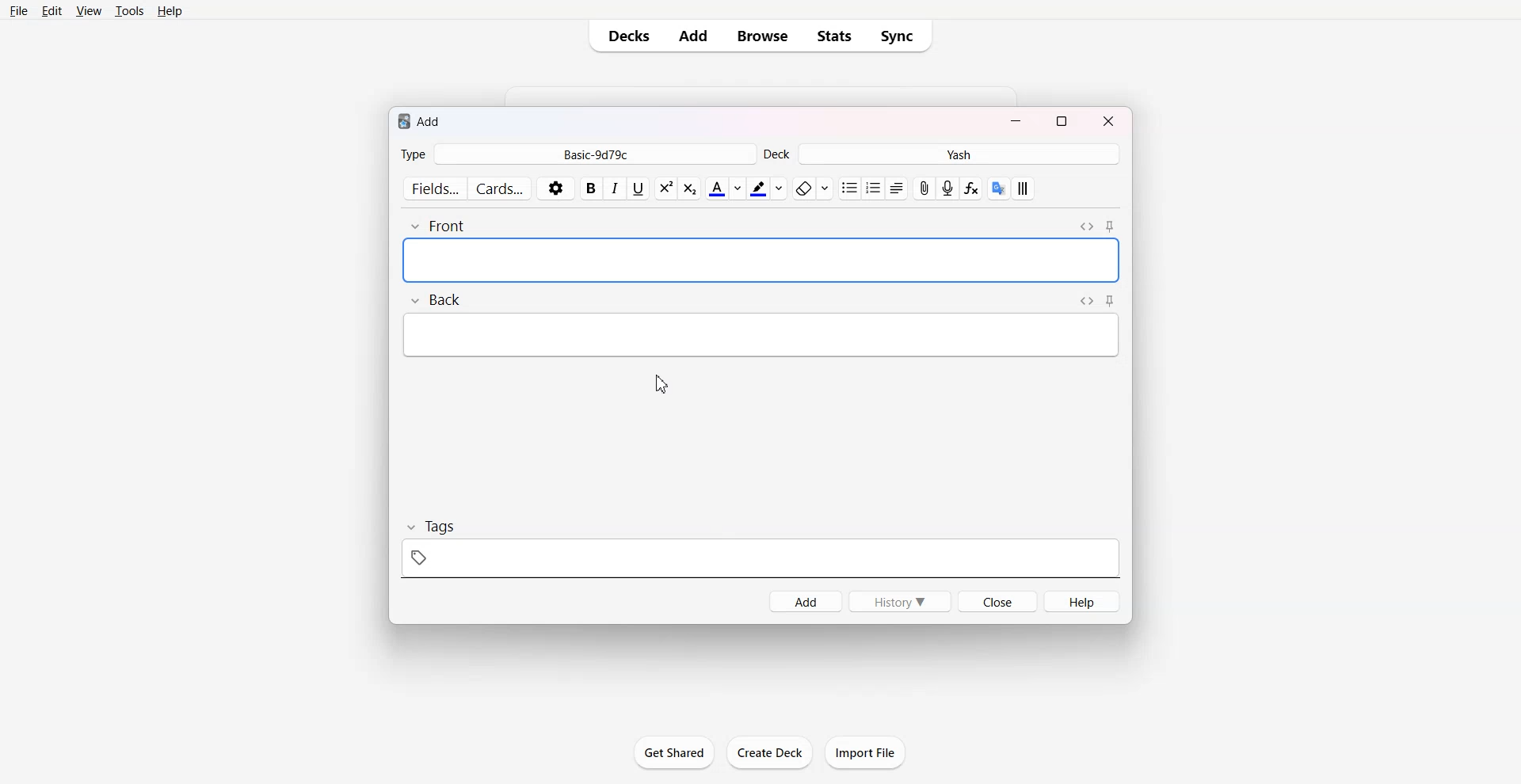 This screenshot has width=1521, height=784. I want to click on Highlight Text Color, so click(767, 188).